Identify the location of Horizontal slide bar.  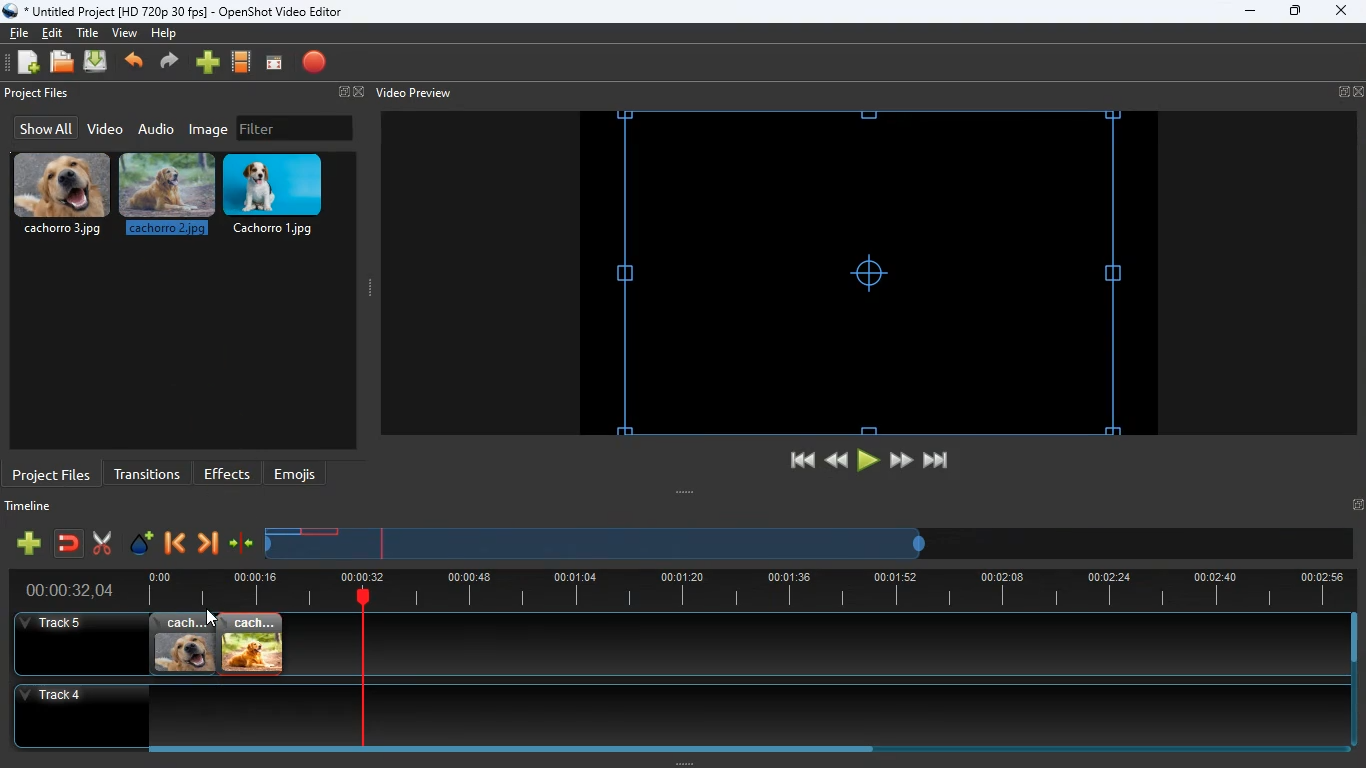
(735, 749).